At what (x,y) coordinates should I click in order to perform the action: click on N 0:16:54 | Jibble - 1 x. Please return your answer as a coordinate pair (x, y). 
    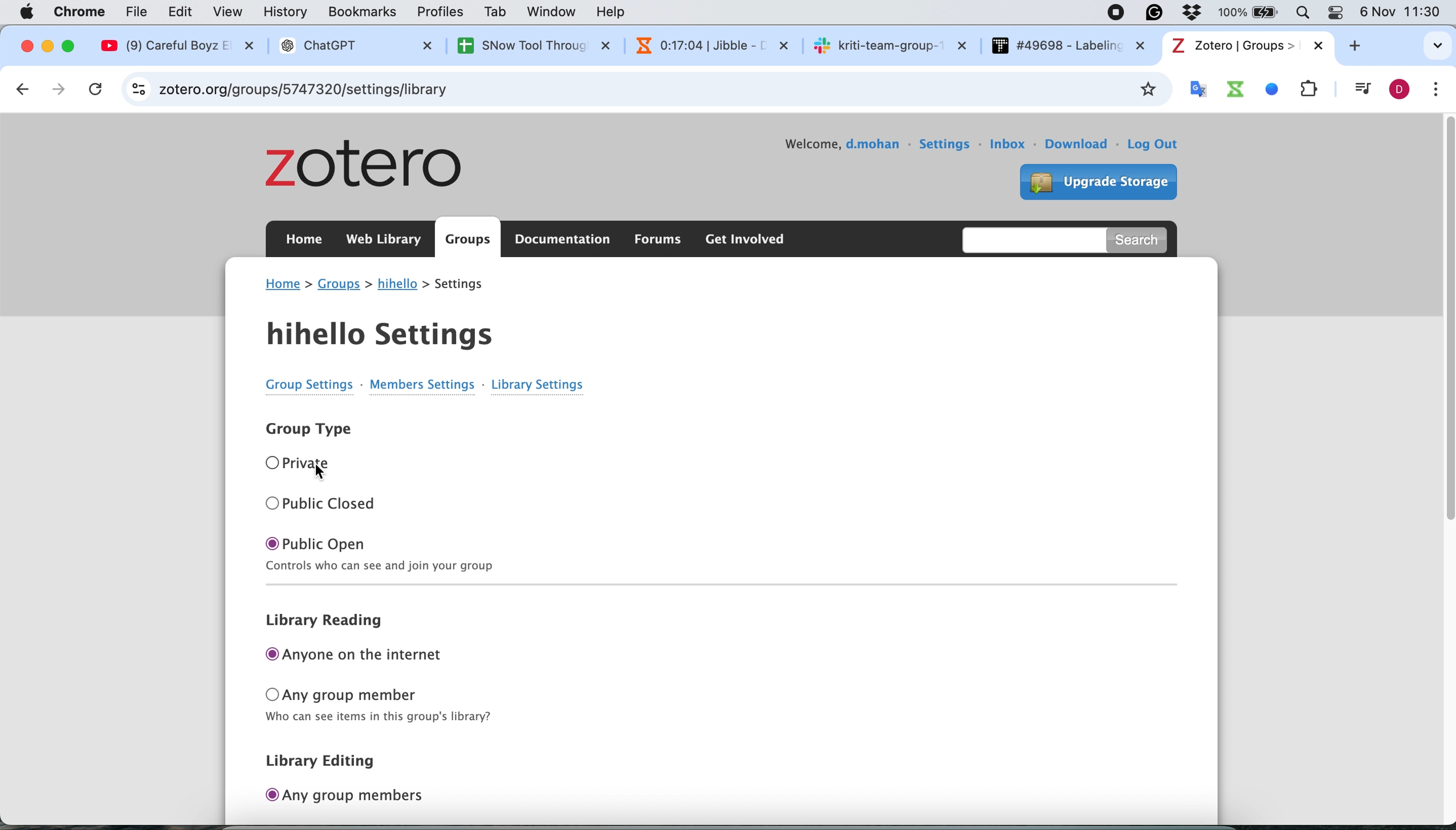
    Looking at the image, I should click on (703, 44).